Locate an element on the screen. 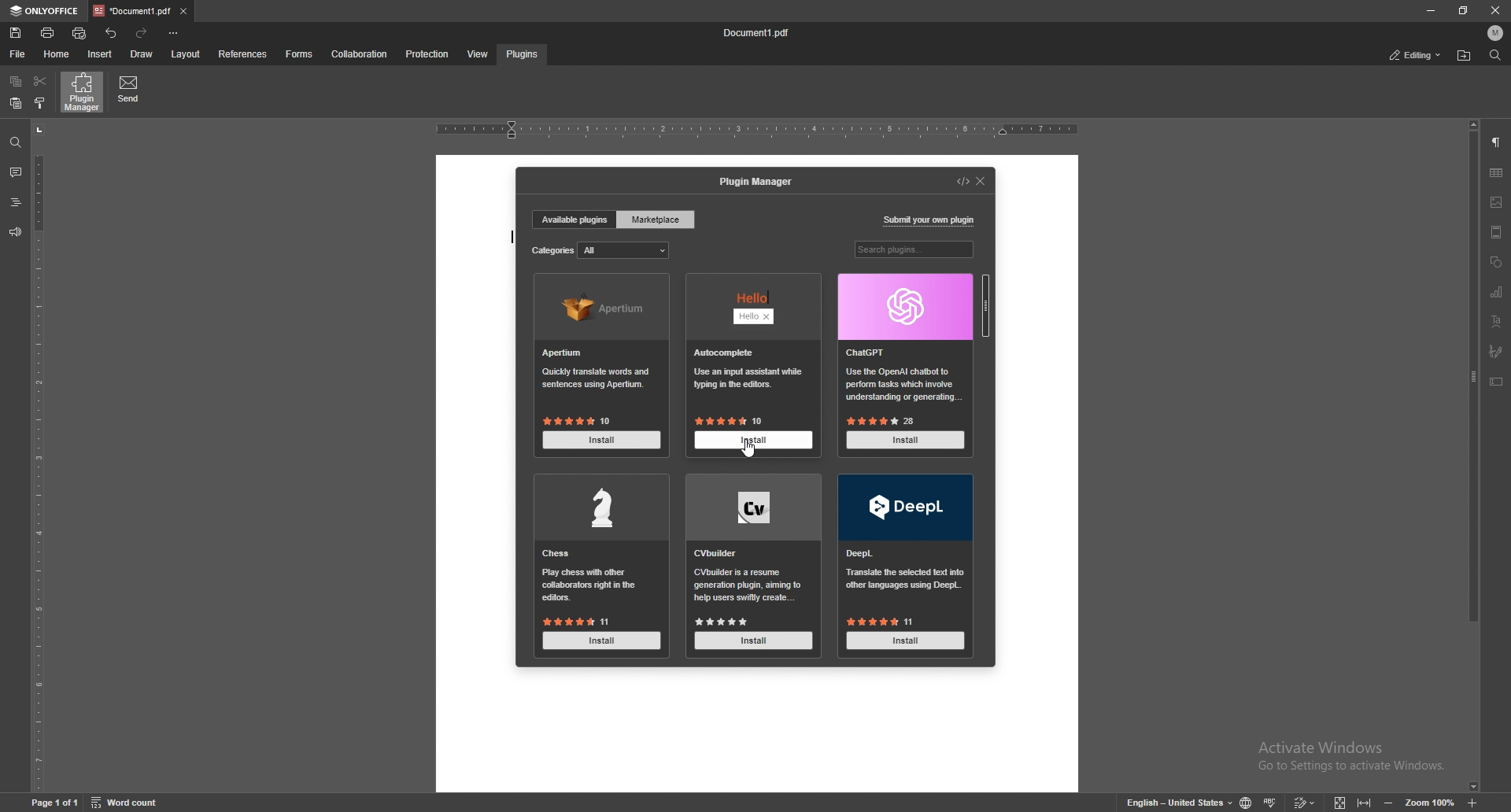 This screenshot has height=812, width=1511. redo is located at coordinates (142, 35).